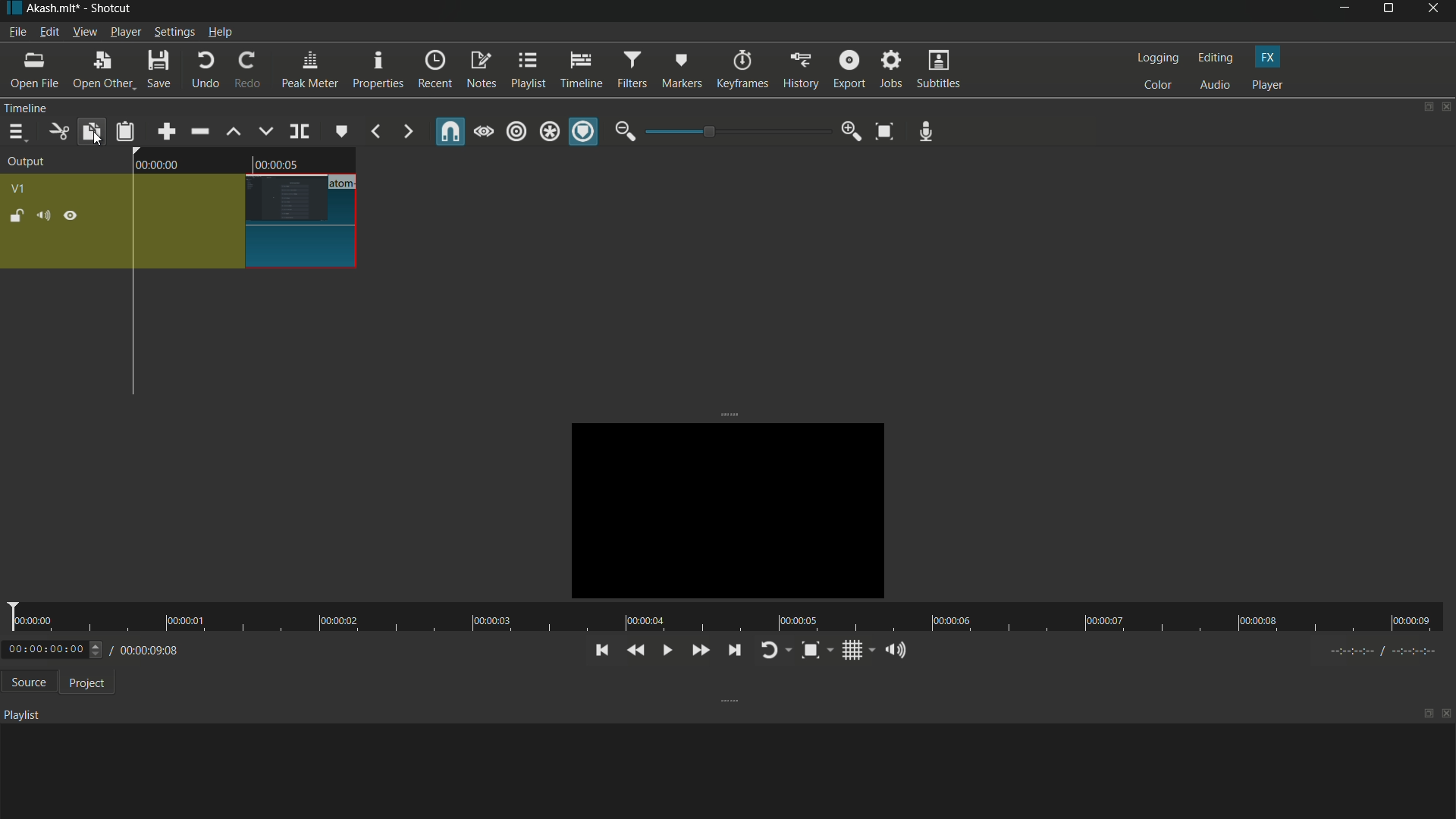 The height and width of the screenshot is (819, 1456). What do you see at coordinates (736, 132) in the screenshot?
I see `adjustment bar` at bounding box center [736, 132].